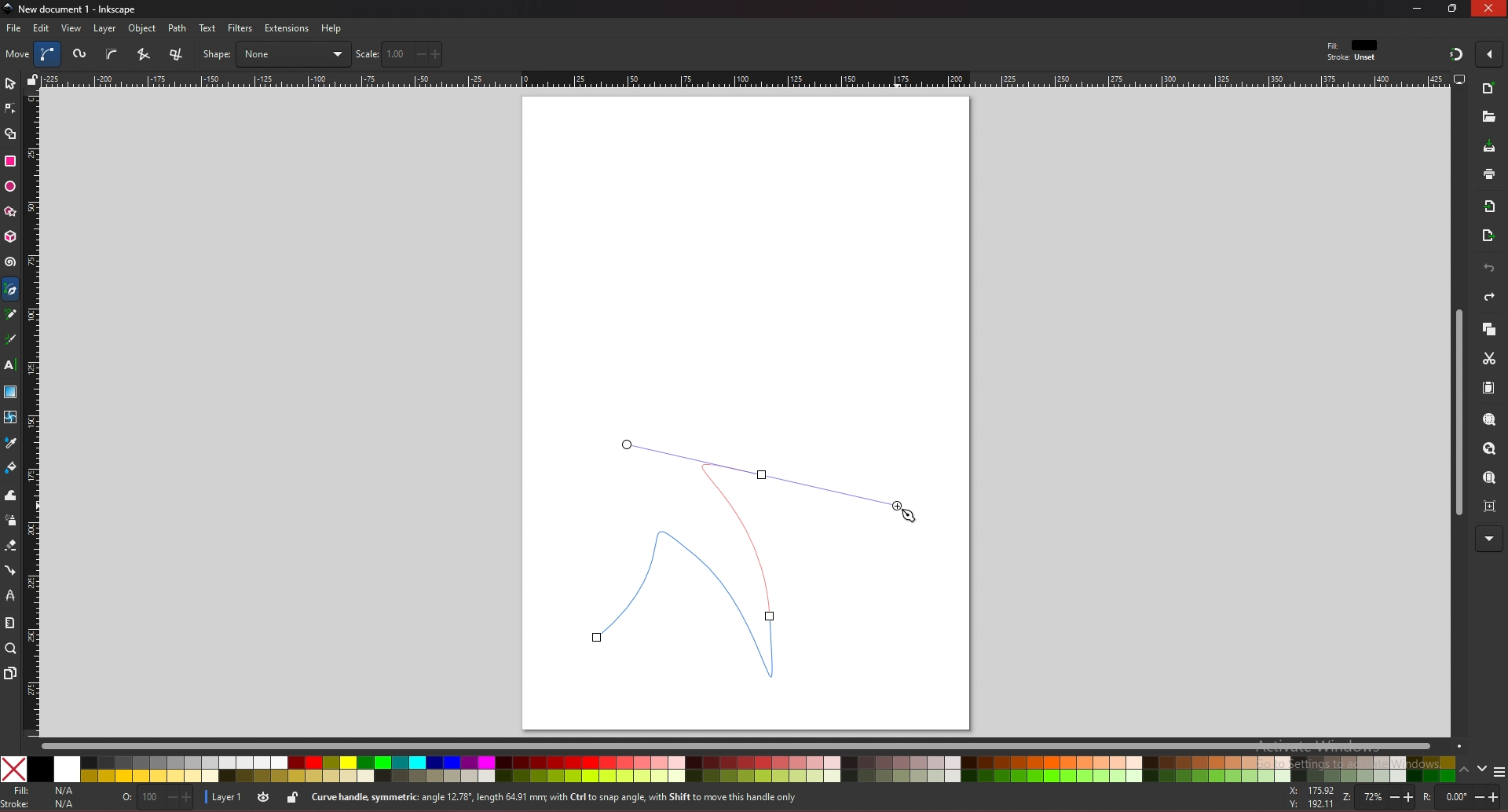 The height and width of the screenshot is (812, 1508). Describe the element at coordinates (1489, 359) in the screenshot. I see `cut` at that location.